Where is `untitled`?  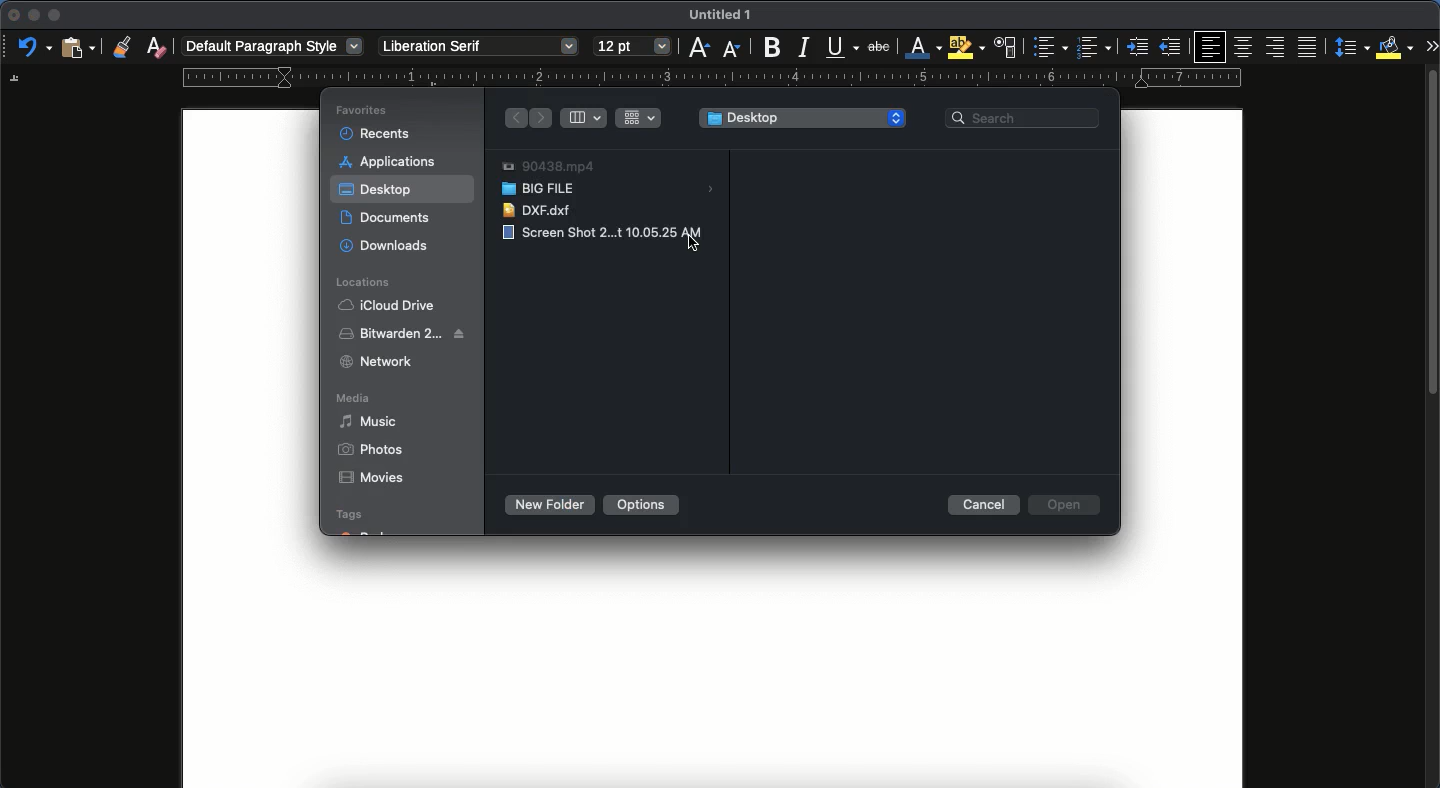 untitled is located at coordinates (716, 16).